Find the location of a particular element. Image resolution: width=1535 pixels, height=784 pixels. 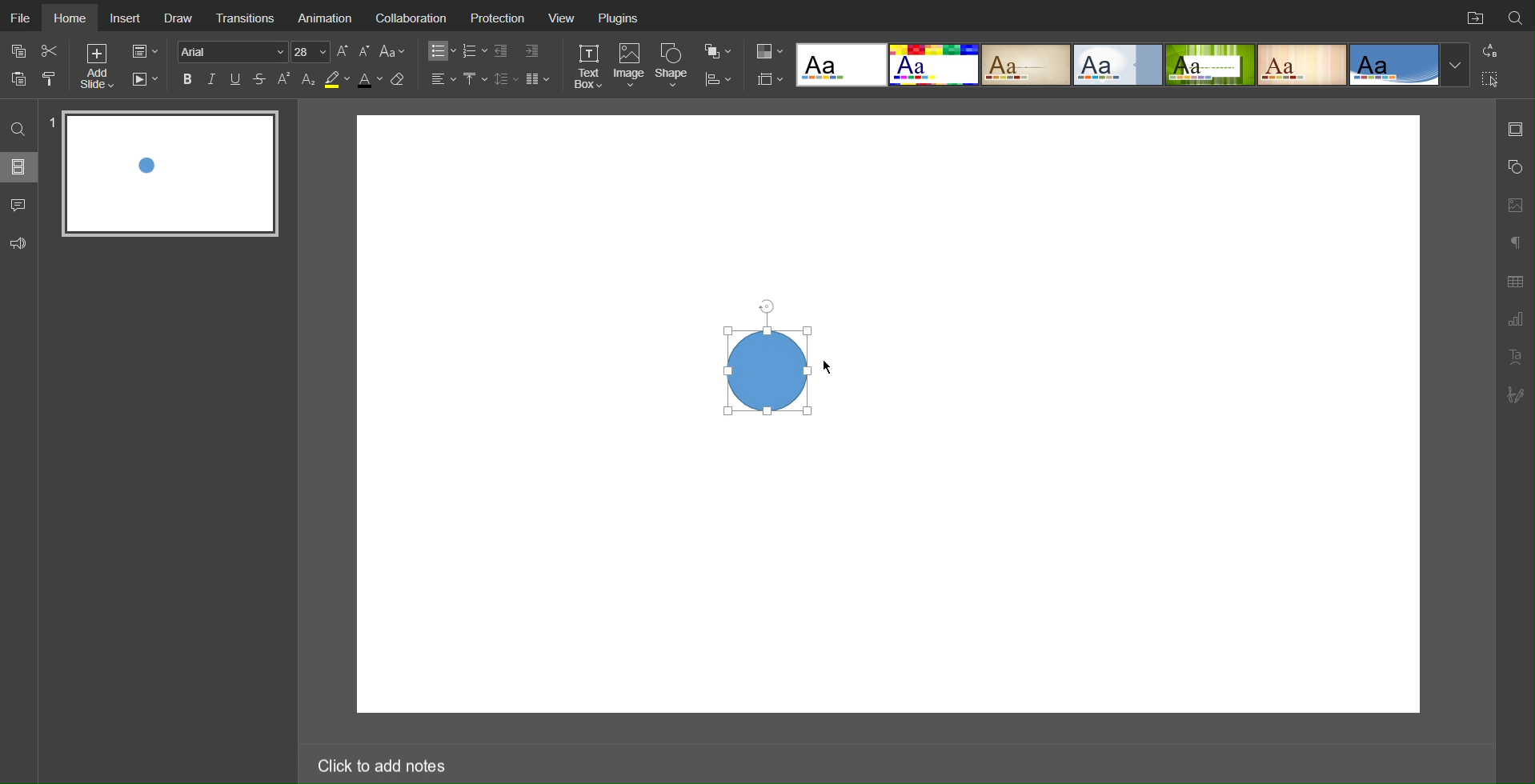

Circle is located at coordinates (765, 369).